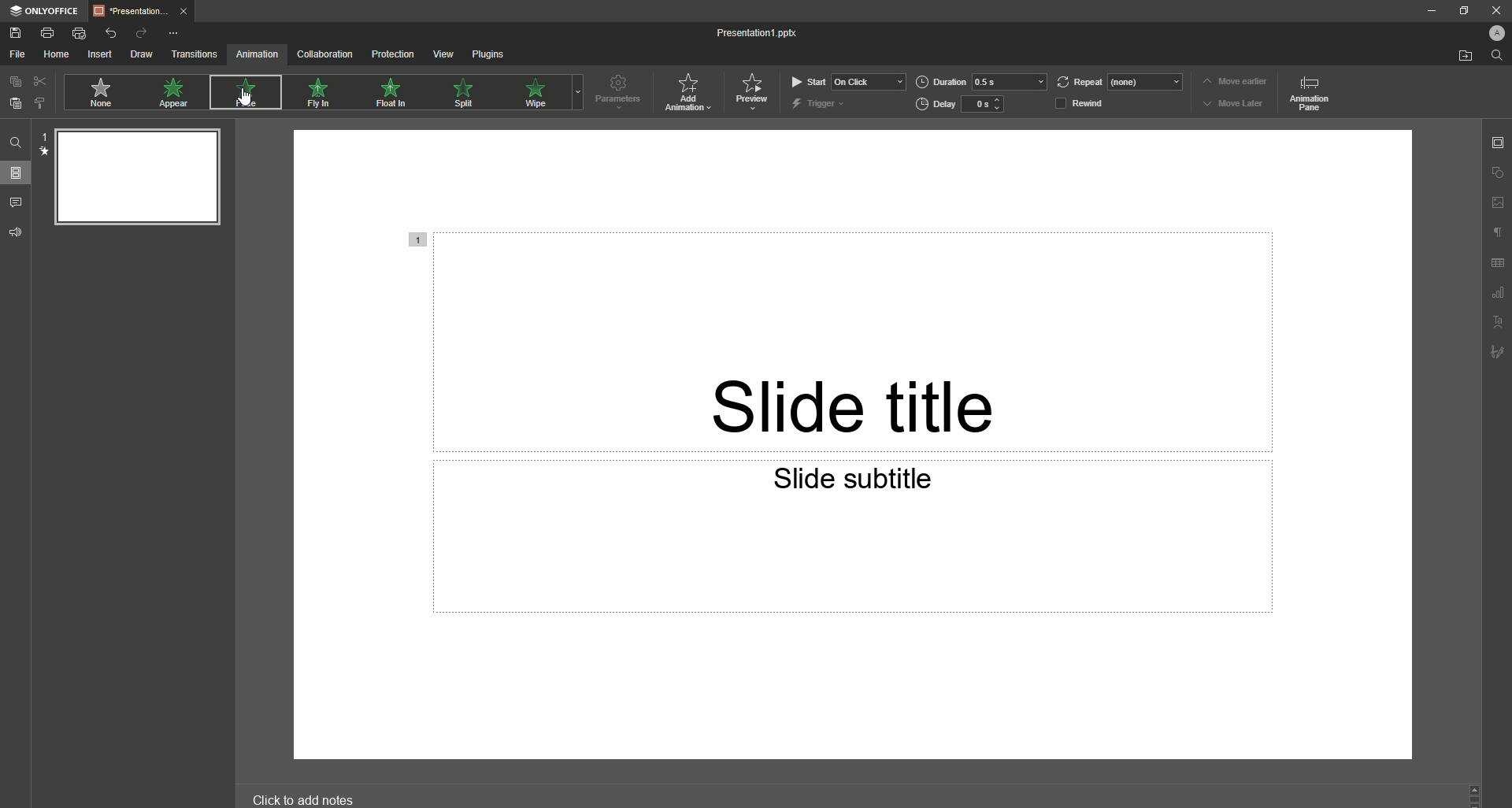 The width and height of the screenshot is (1512, 808). I want to click on Plugins, so click(488, 54).